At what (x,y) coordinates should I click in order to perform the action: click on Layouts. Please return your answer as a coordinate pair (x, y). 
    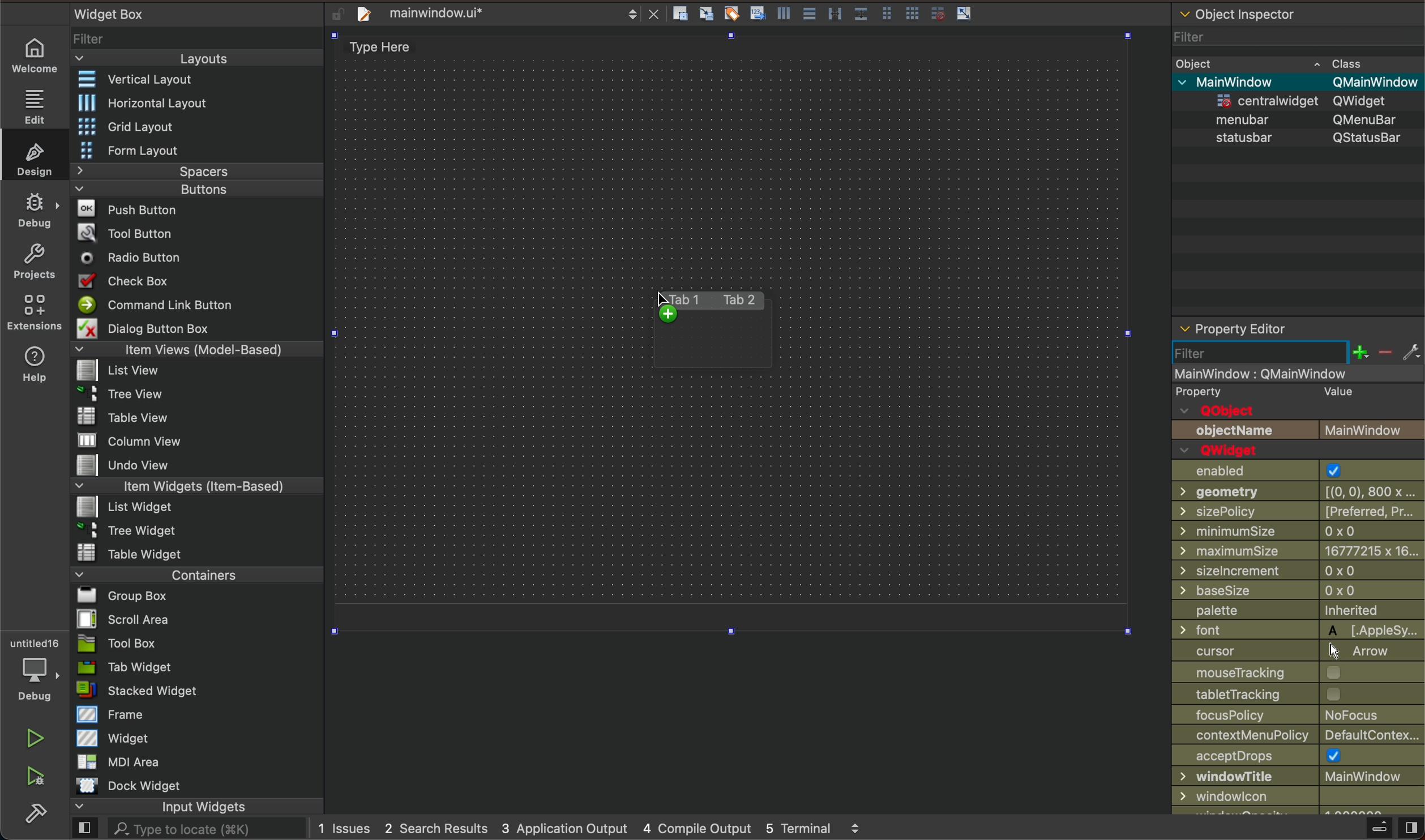
    Looking at the image, I should click on (198, 58).